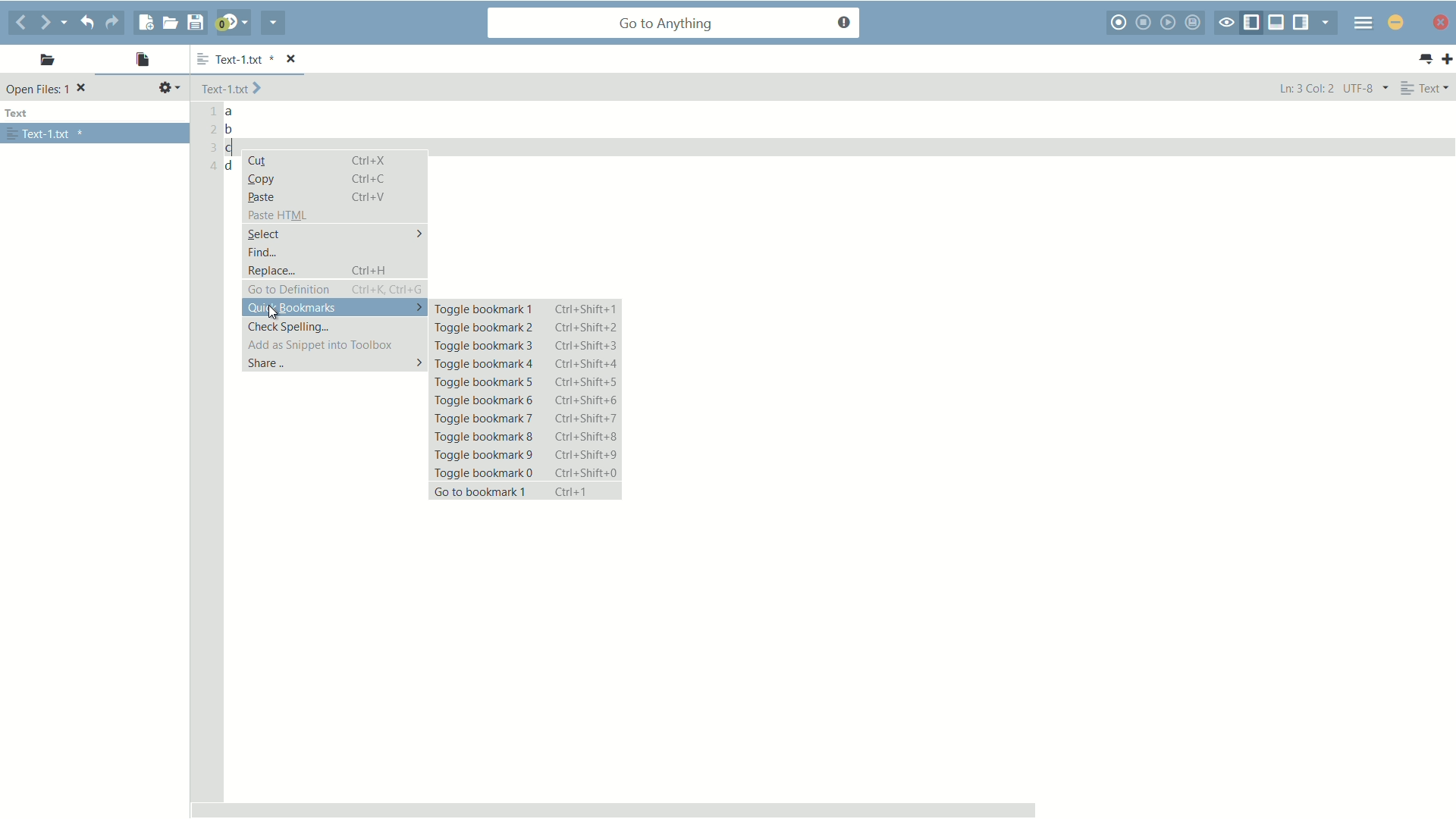  I want to click on go to anything, so click(676, 24).